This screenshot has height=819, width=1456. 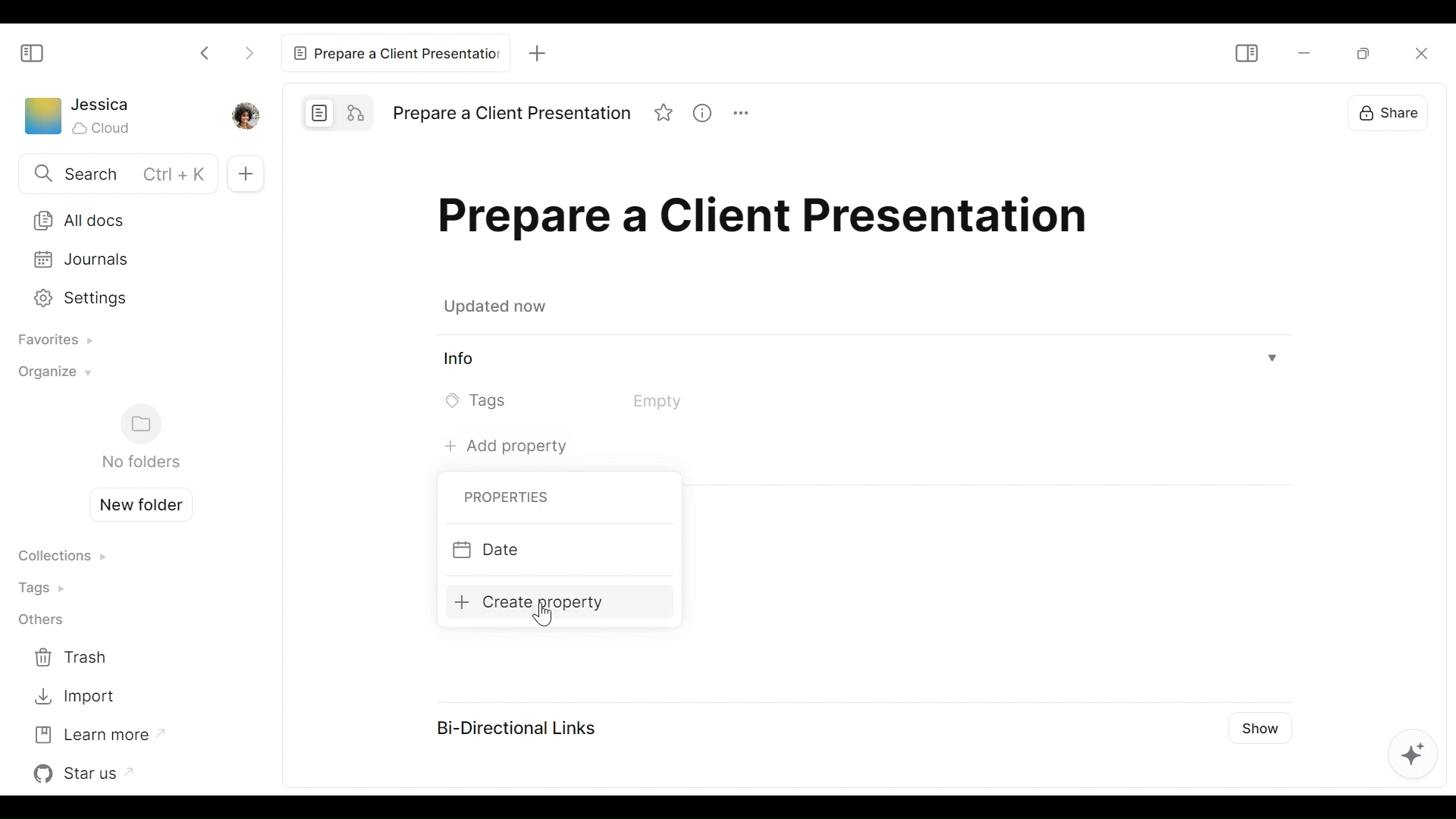 I want to click on Minimize, so click(x=1357, y=55).